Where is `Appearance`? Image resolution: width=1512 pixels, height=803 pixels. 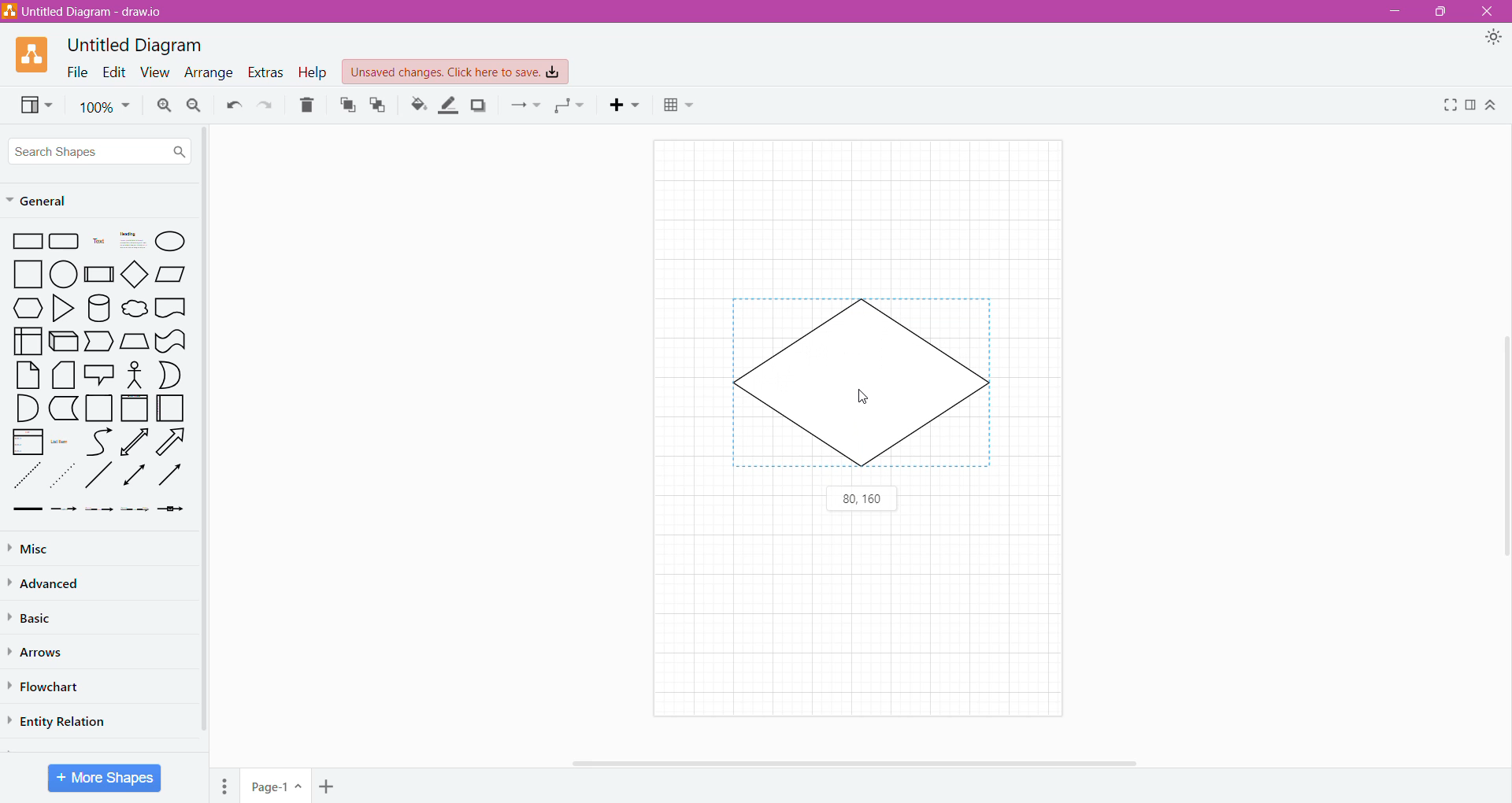 Appearance is located at coordinates (1496, 39).